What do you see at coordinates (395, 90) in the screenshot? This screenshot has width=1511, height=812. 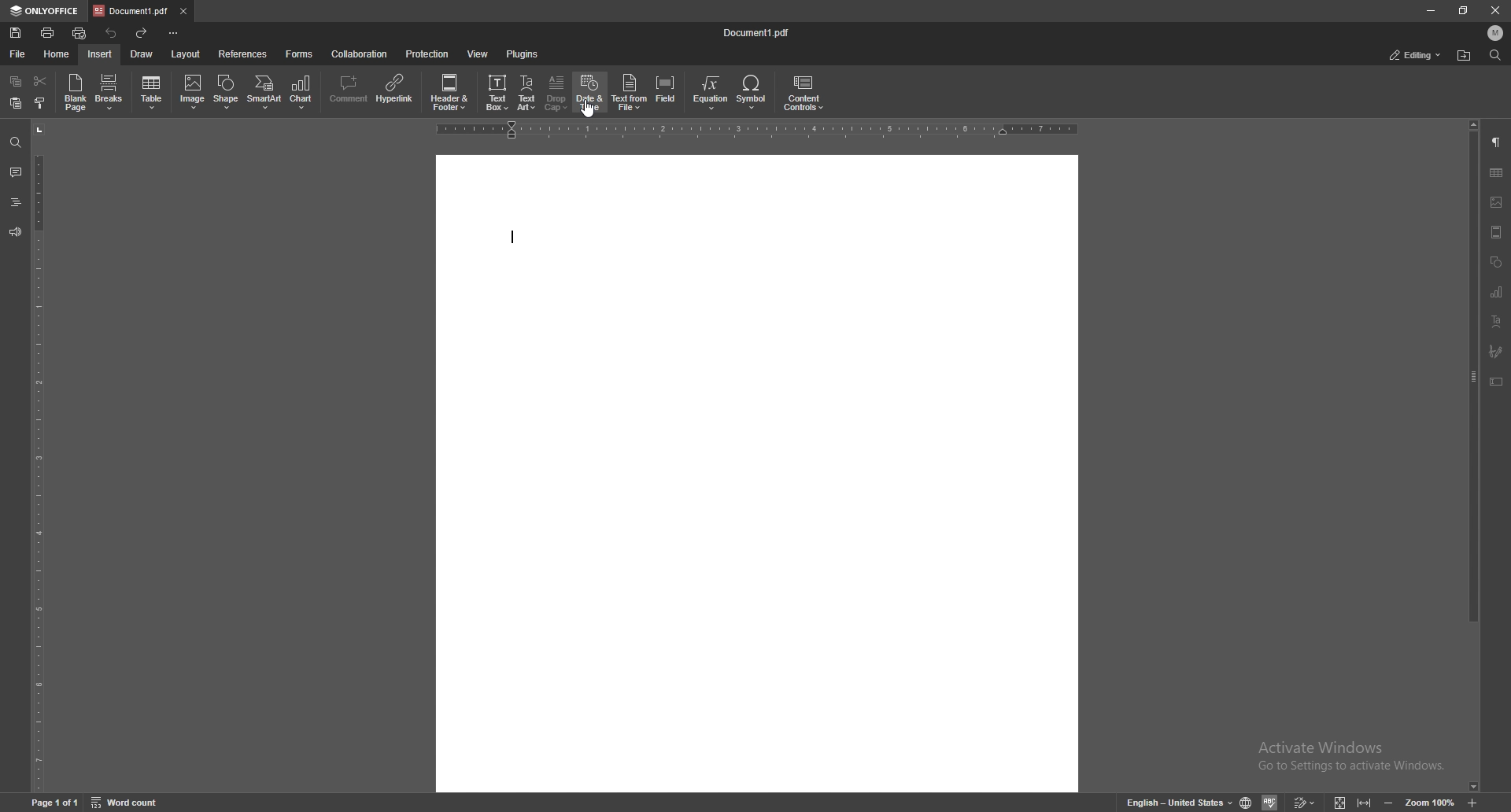 I see `hyperlink` at bounding box center [395, 90].